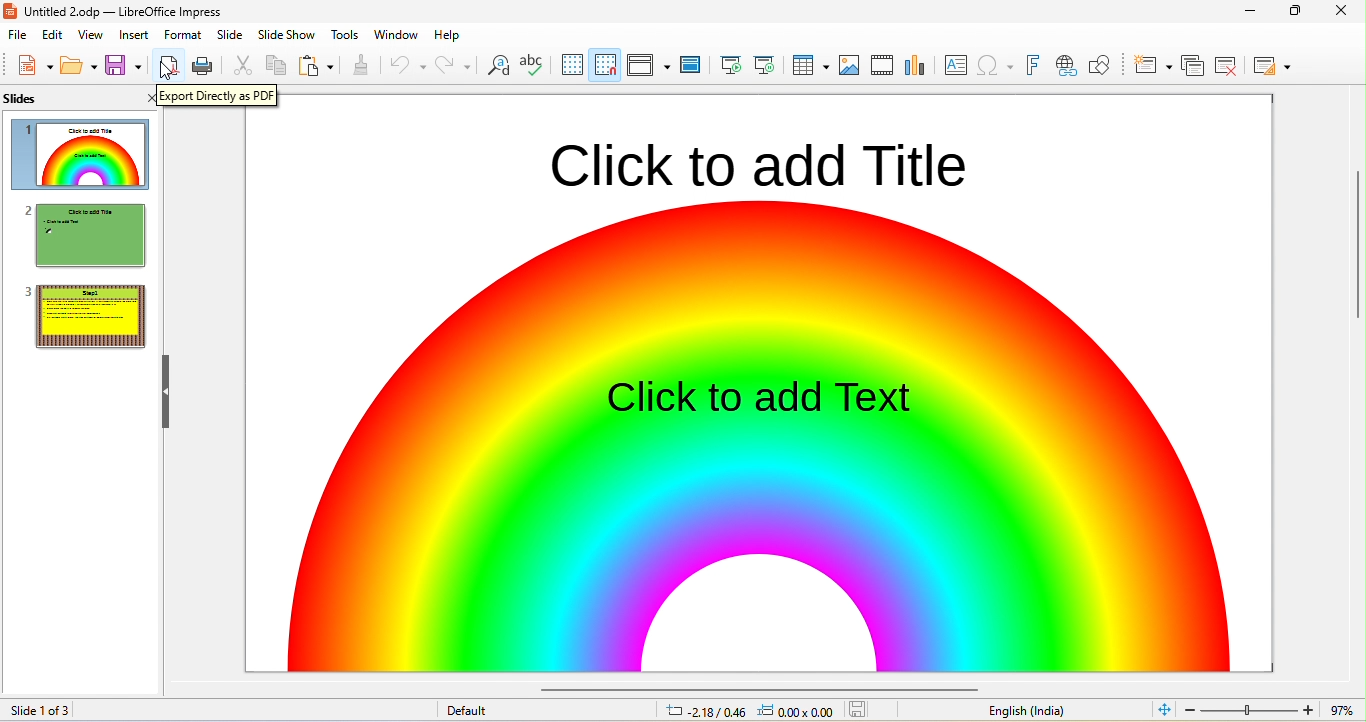 Image resolution: width=1366 pixels, height=722 pixels. I want to click on fit to current window, so click(1164, 708).